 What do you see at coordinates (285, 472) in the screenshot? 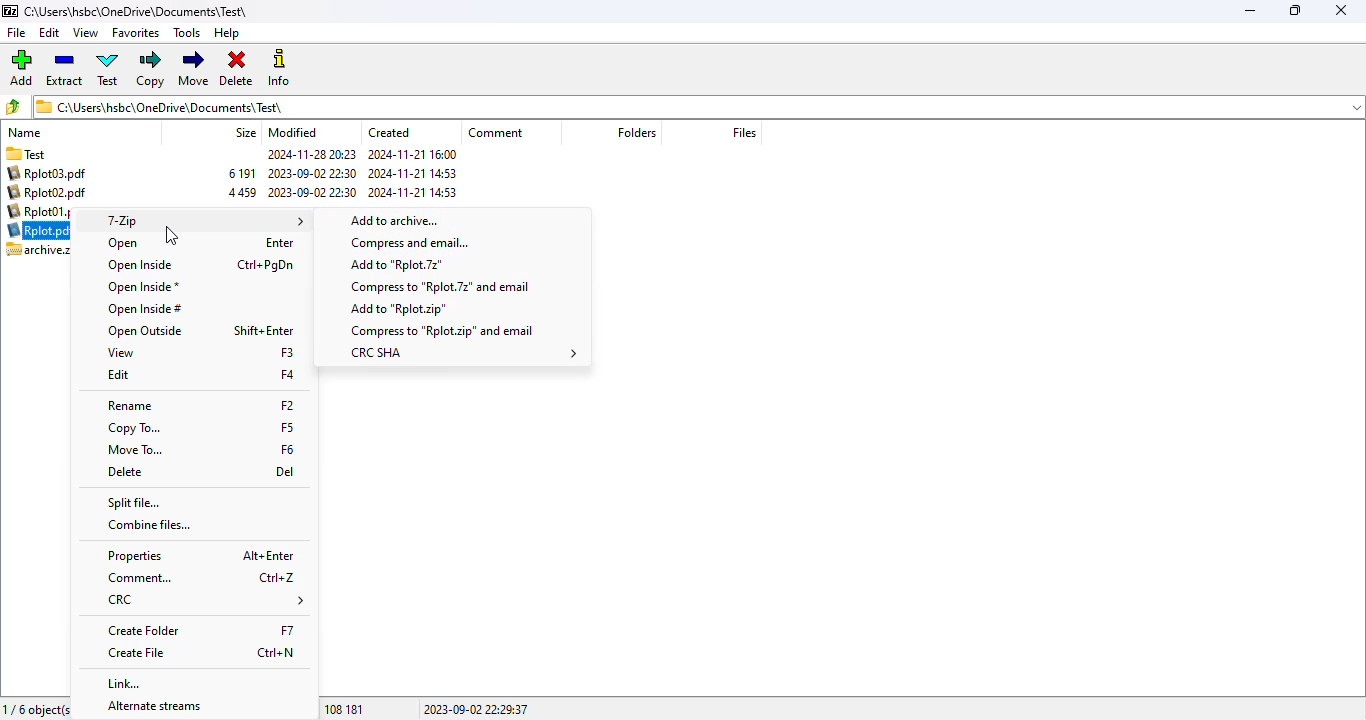
I see `shortcut for delete` at bounding box center [285, 472].